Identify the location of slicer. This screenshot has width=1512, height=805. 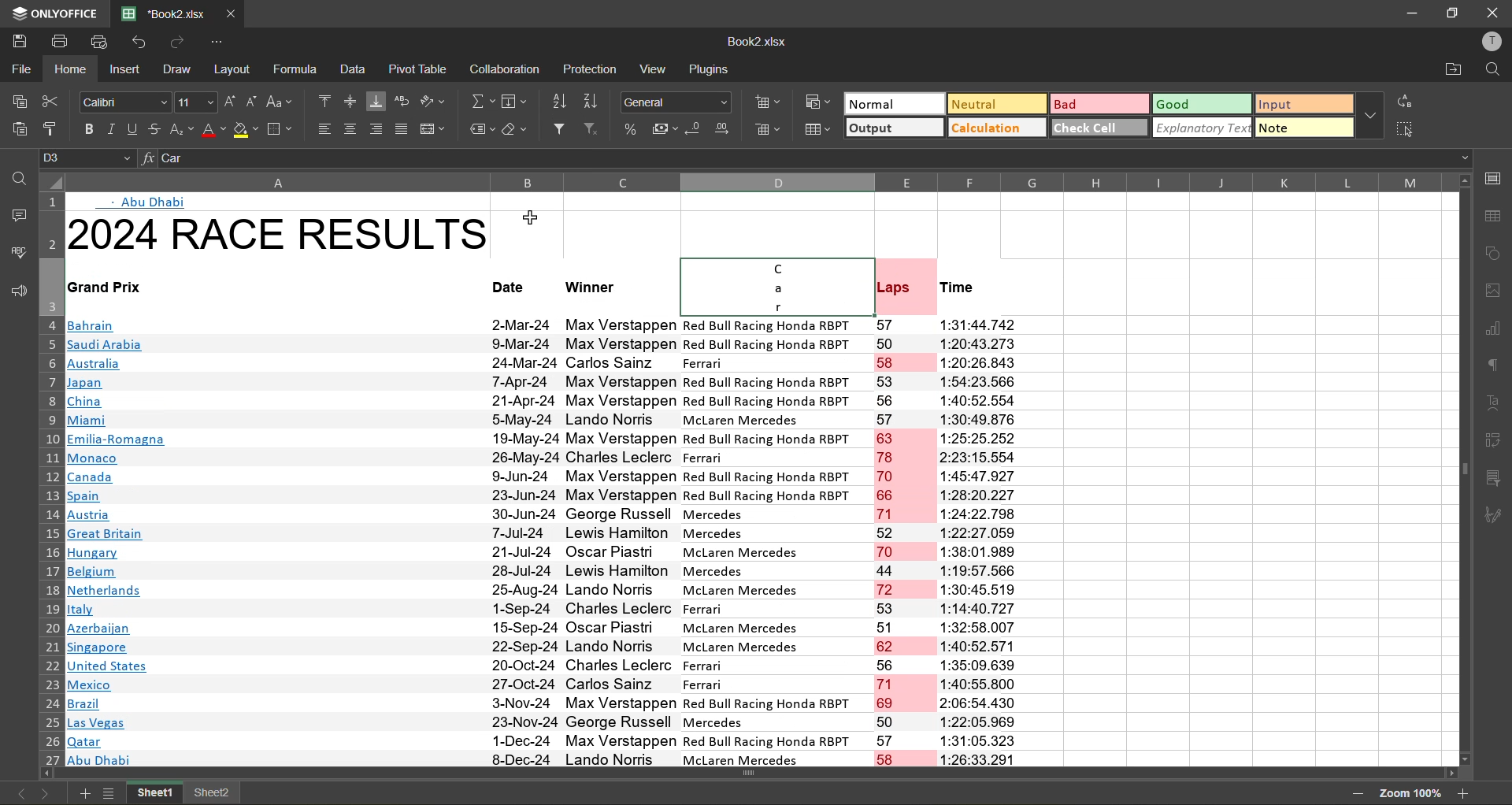
(1493, 477).